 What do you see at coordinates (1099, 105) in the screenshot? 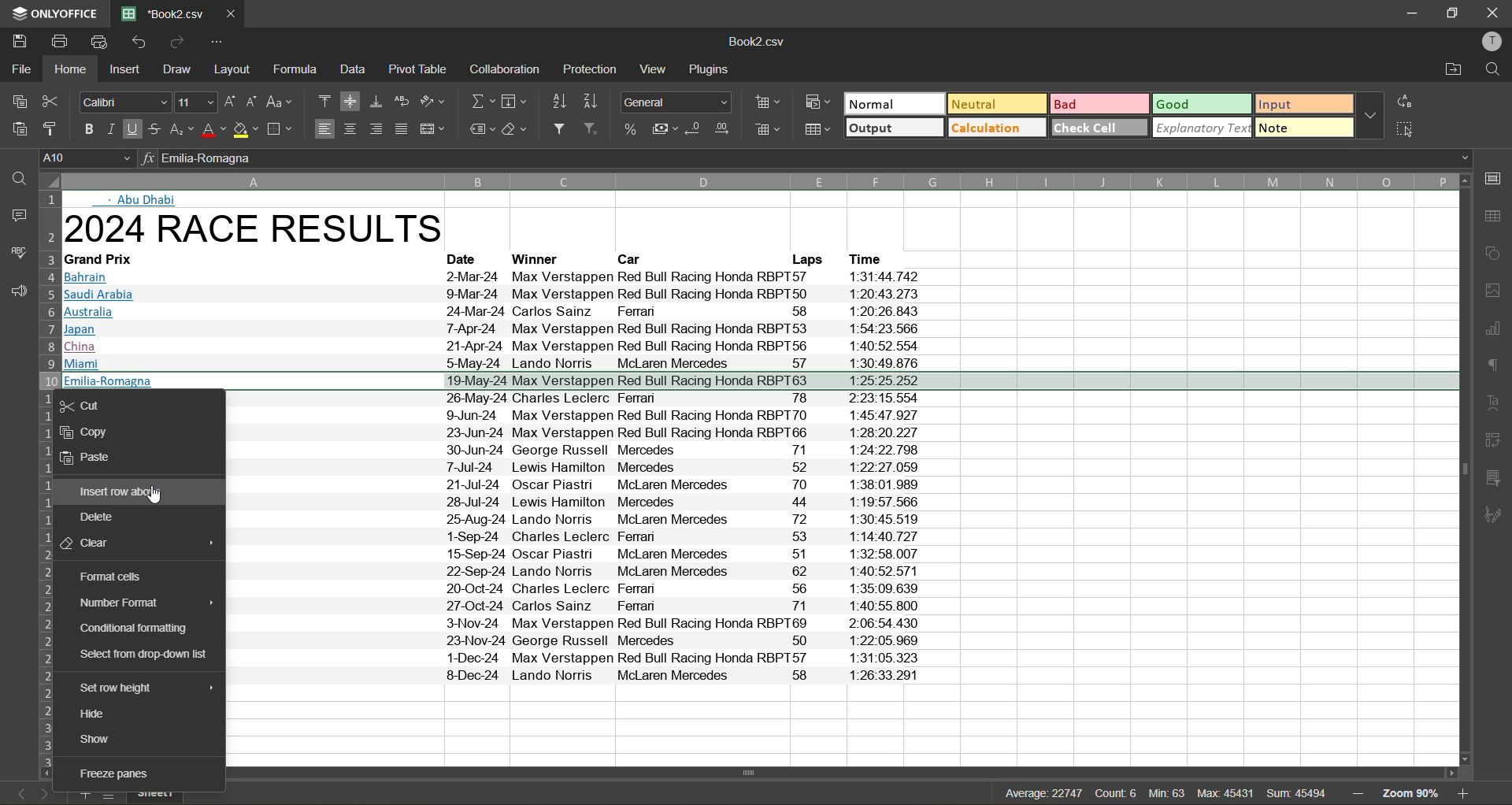
I see `bad` at bounding box center [1099, 105].